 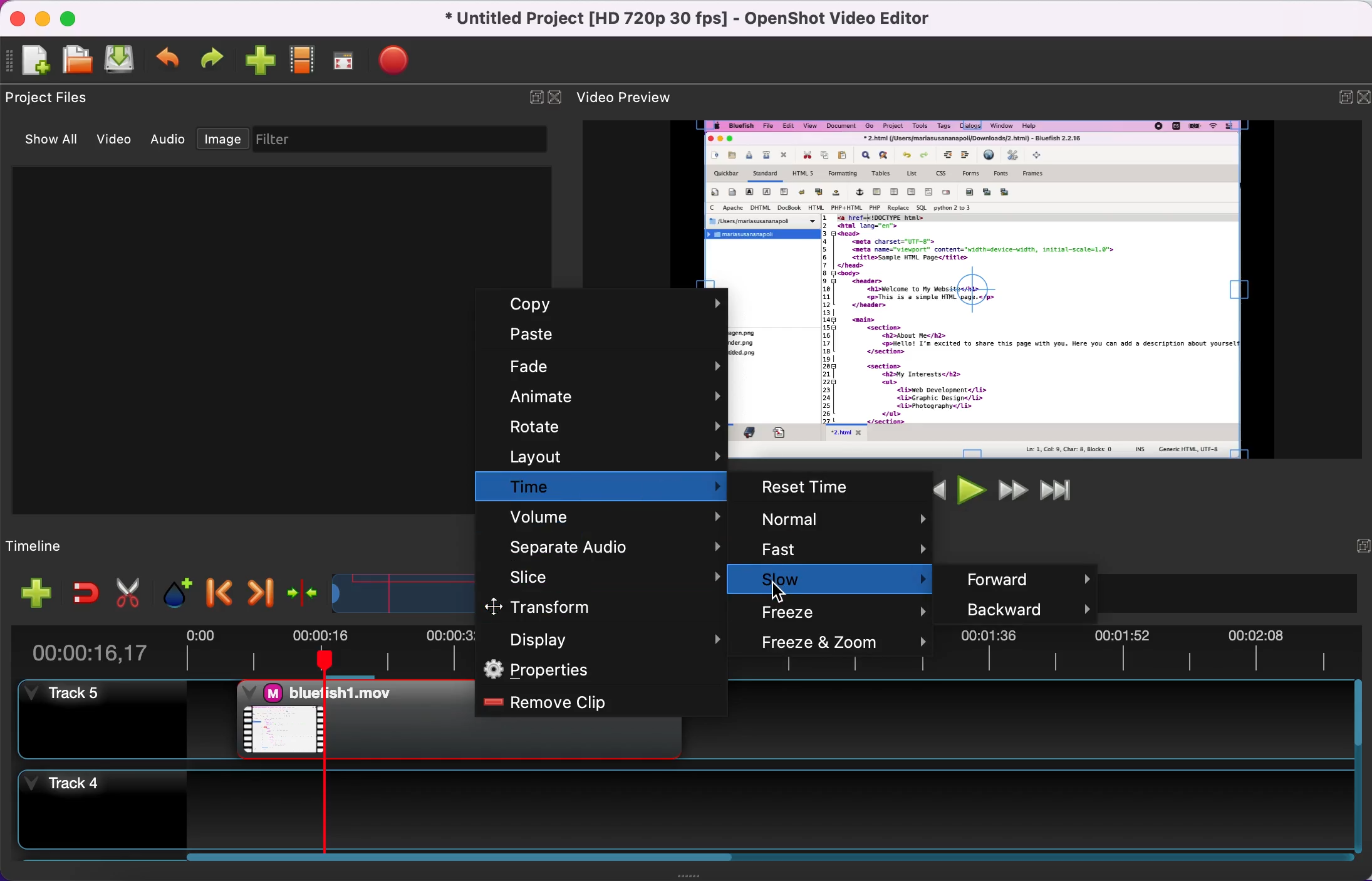 I want to click on time duration, so click(x=105, y=647).